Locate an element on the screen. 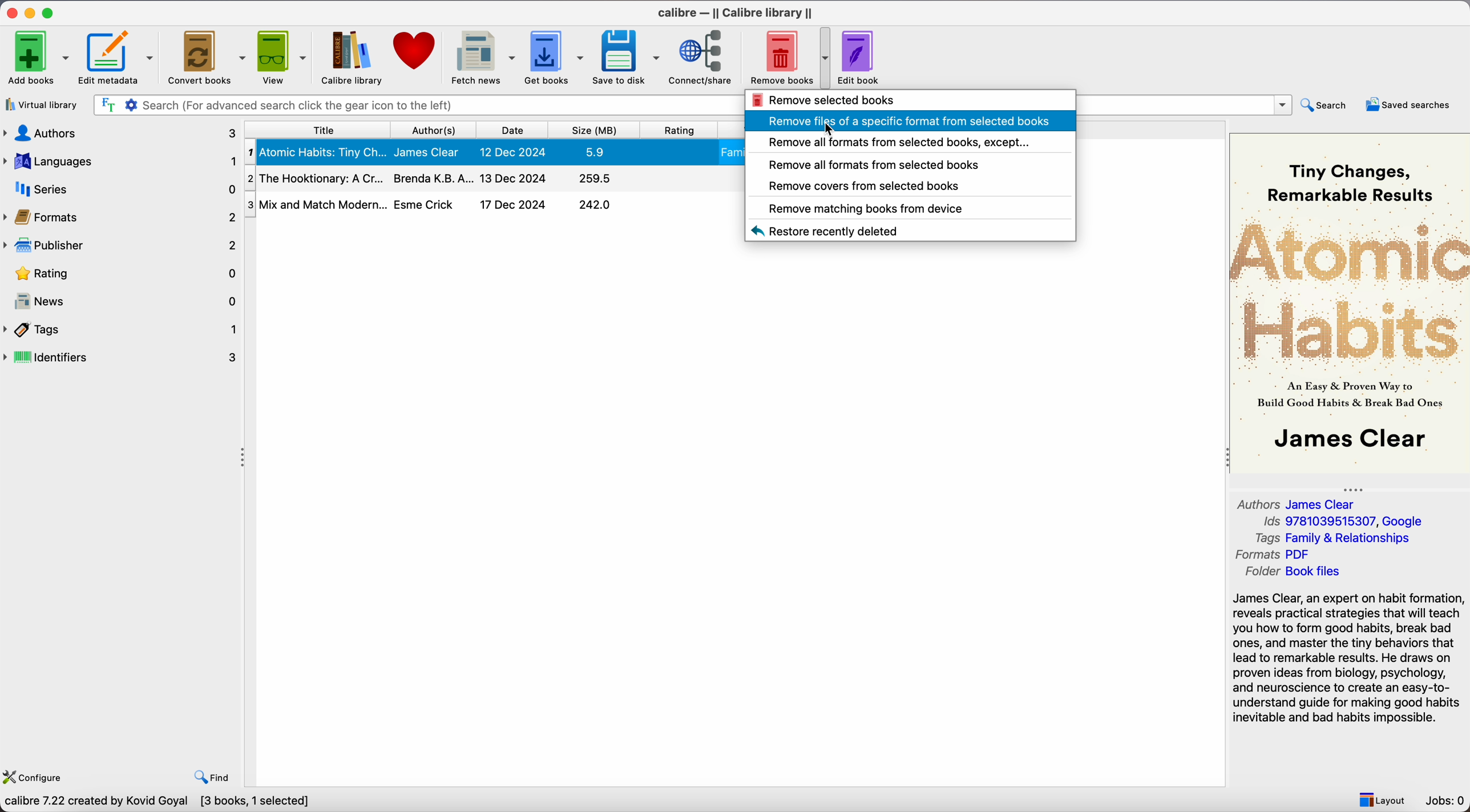 This screenshot has height=812, width=1470. Formats PDF is located at coordinates (1276, 555).